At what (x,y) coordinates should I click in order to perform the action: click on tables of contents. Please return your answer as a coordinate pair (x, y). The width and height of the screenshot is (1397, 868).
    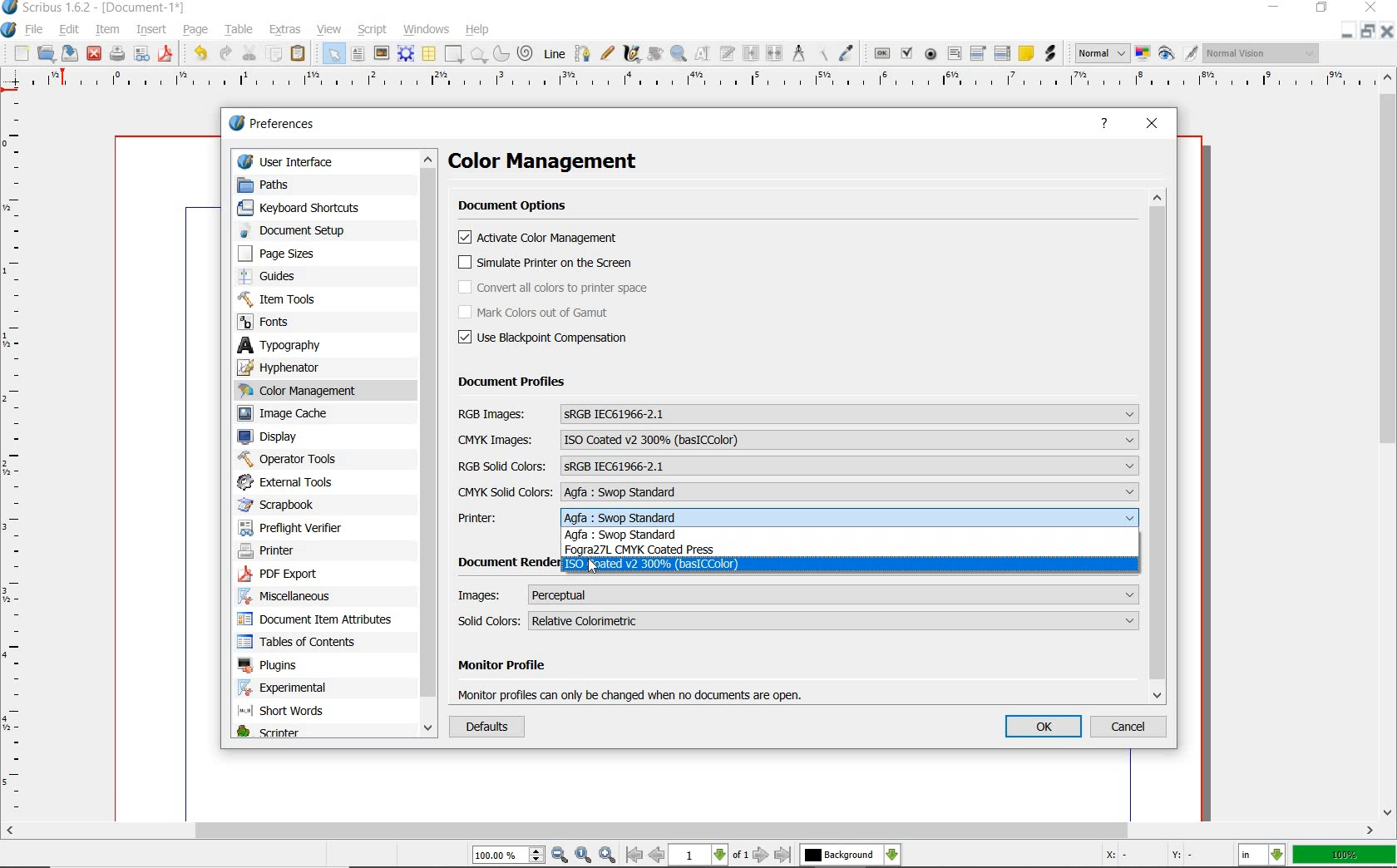
    Looking at the image, I should click on (310, 642).